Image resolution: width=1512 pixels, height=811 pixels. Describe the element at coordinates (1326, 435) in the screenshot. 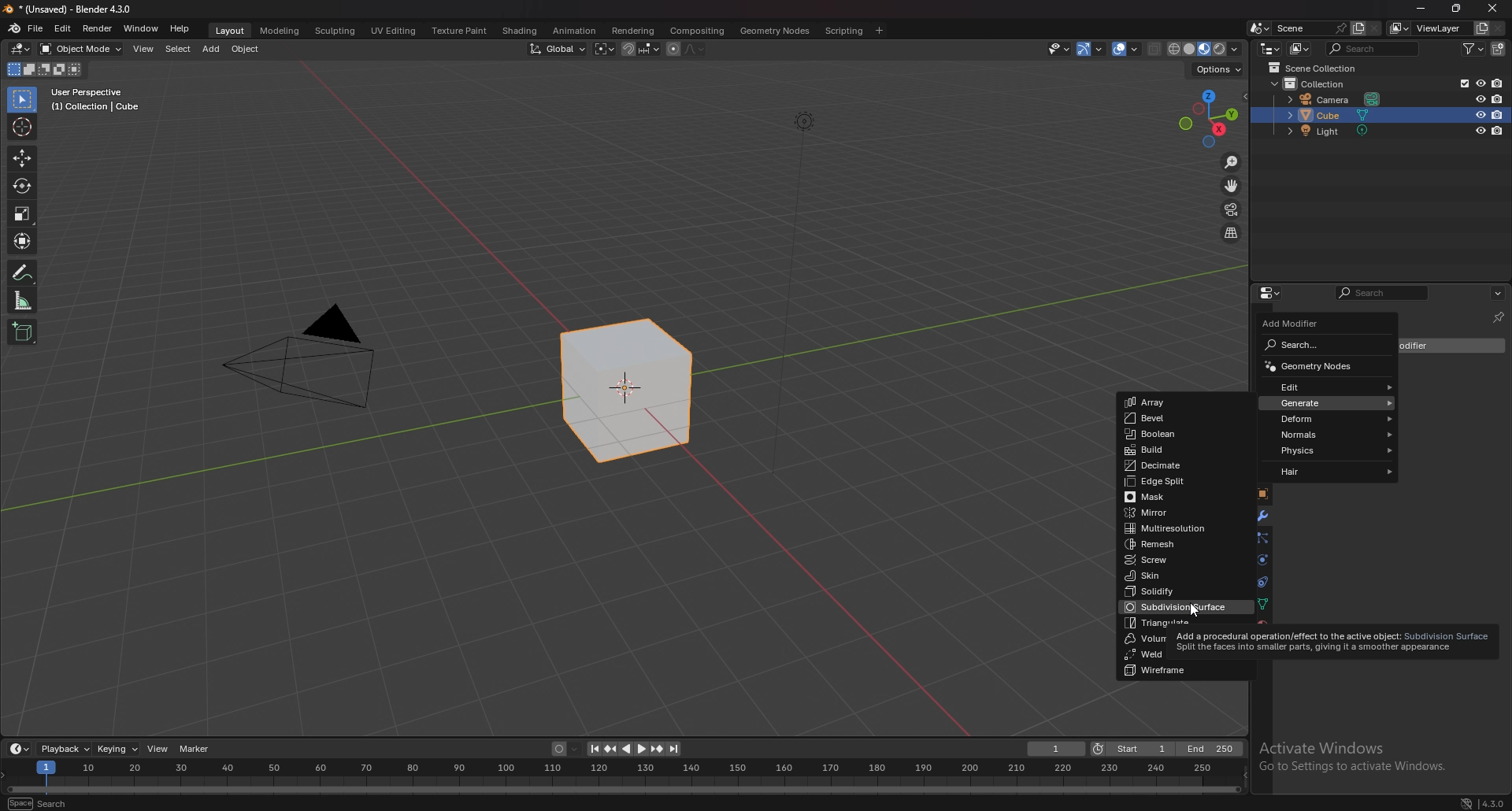

I see `normals` at that location.